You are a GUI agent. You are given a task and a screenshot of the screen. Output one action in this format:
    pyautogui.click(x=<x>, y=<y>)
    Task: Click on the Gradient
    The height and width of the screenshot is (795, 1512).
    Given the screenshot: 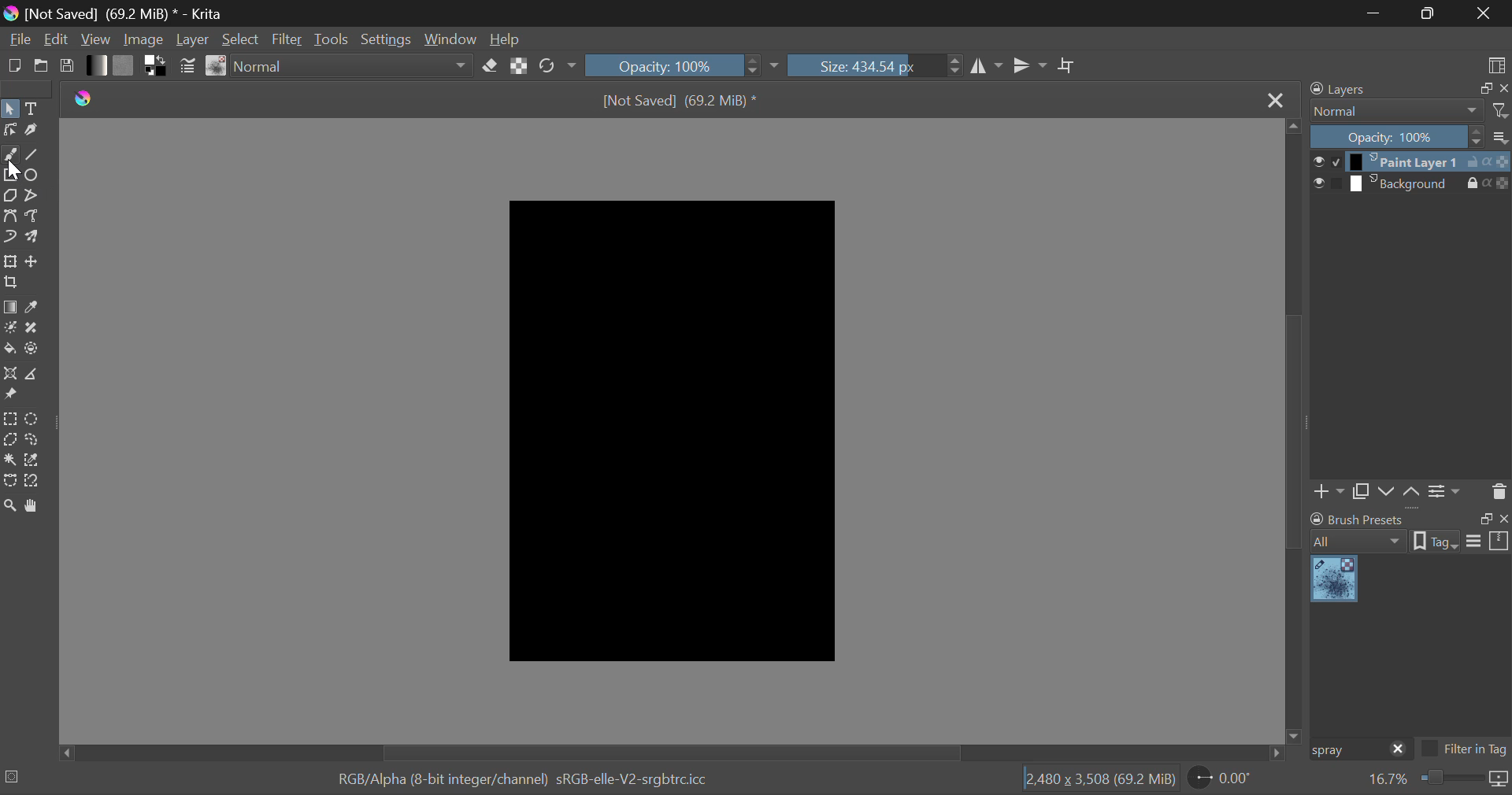 What is the action you would take?
    pyautogui.click(x=98, y=65)
    